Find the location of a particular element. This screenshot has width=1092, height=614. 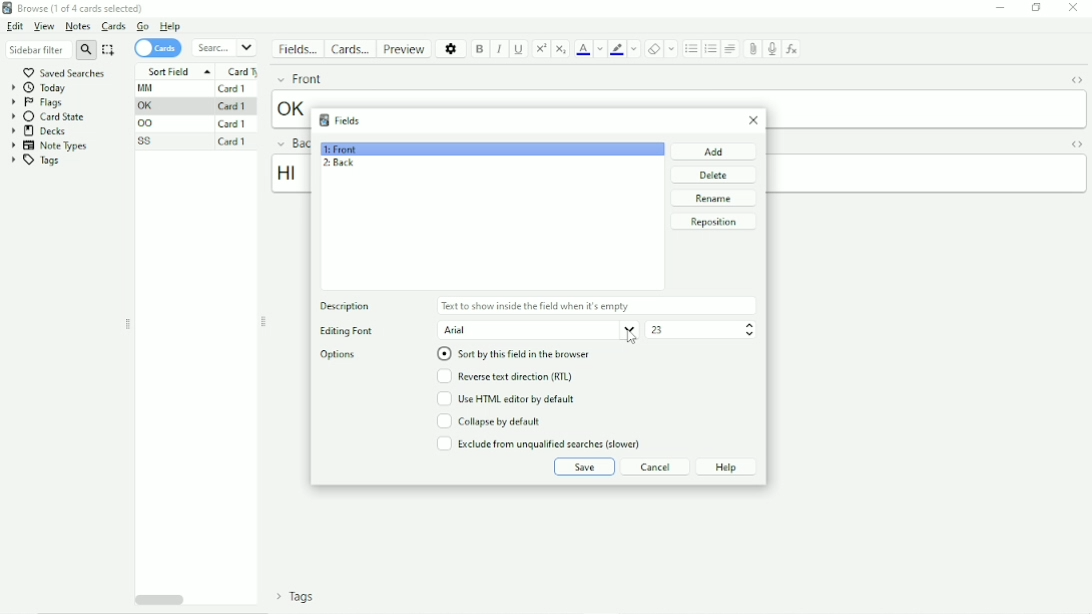

23 is located at coordinates (661, 332).